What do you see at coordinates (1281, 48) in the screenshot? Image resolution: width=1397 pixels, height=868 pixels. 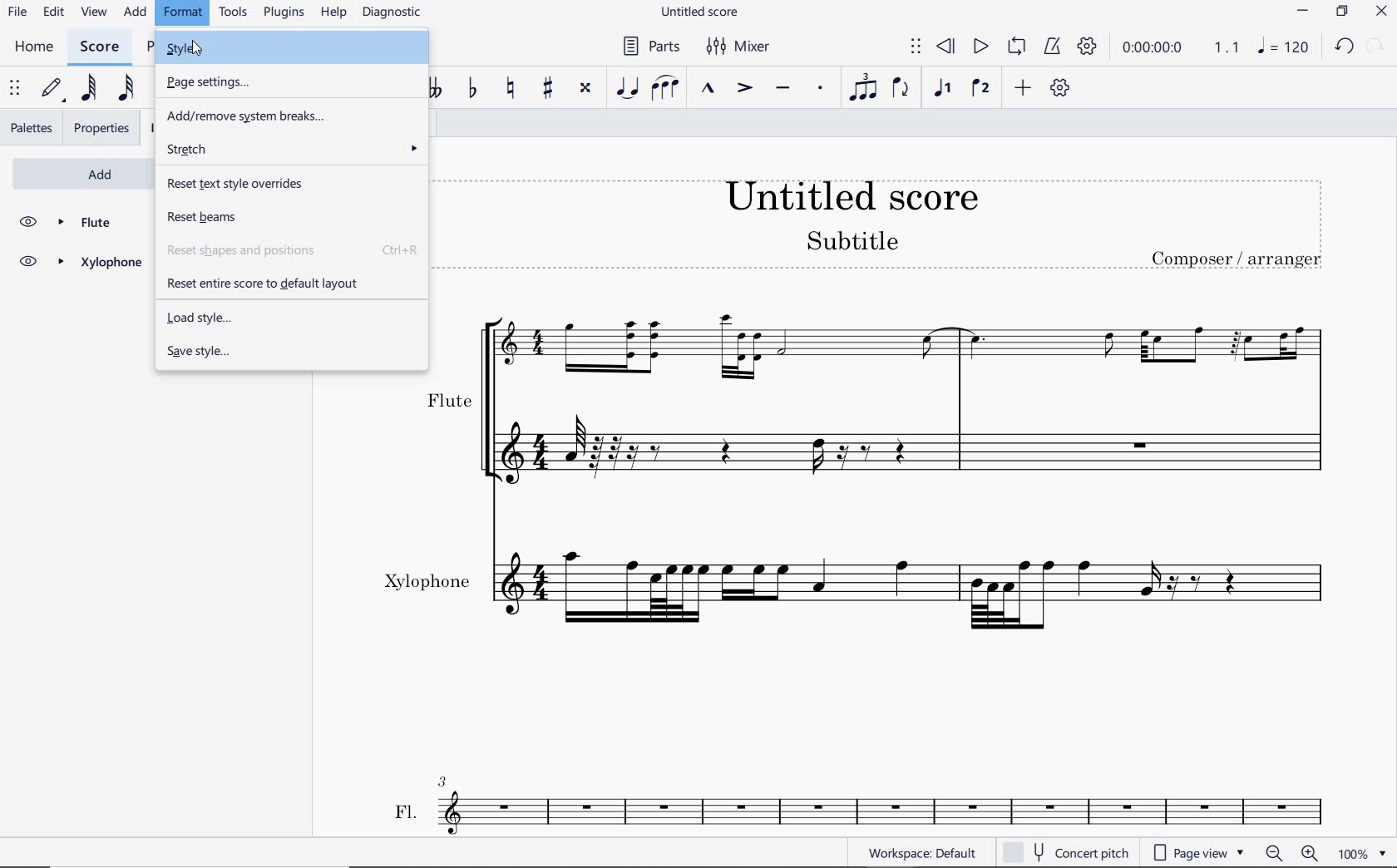 I see `NOTE` at bounding box center [1281, 48].